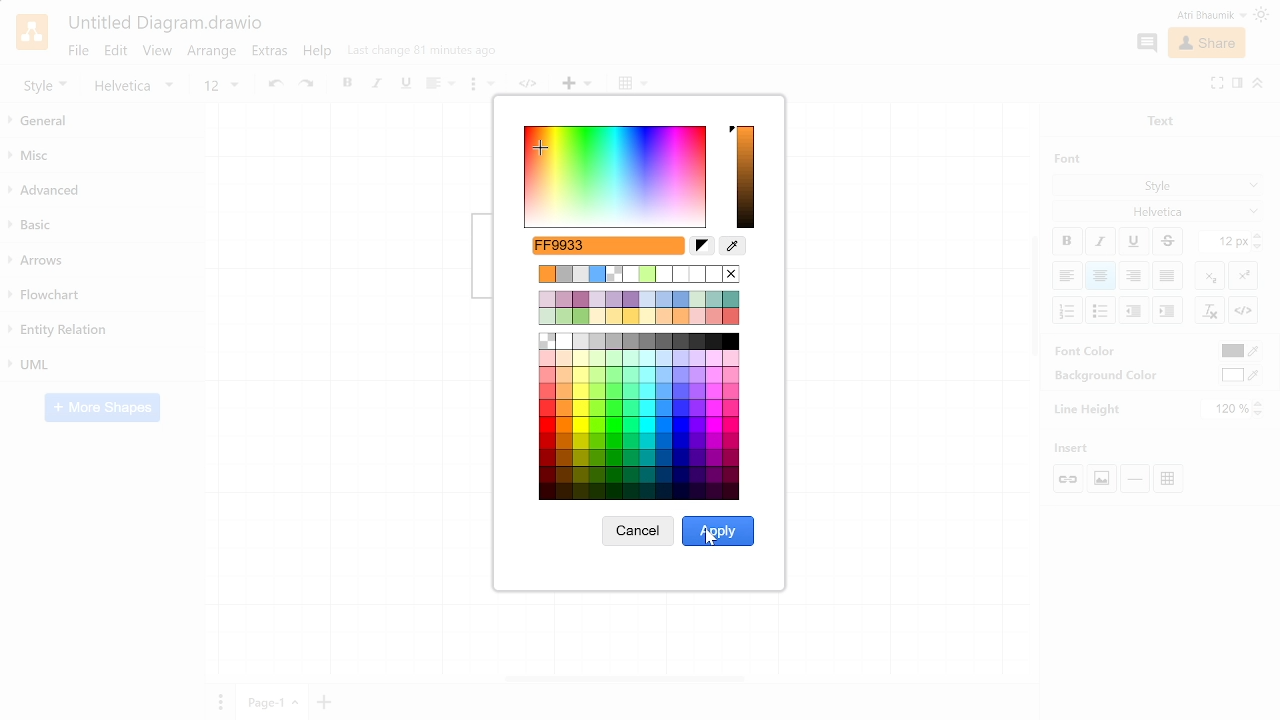  Describe the element at coordinates (619, 245) in the screenshot. I see `Current color` at that location.